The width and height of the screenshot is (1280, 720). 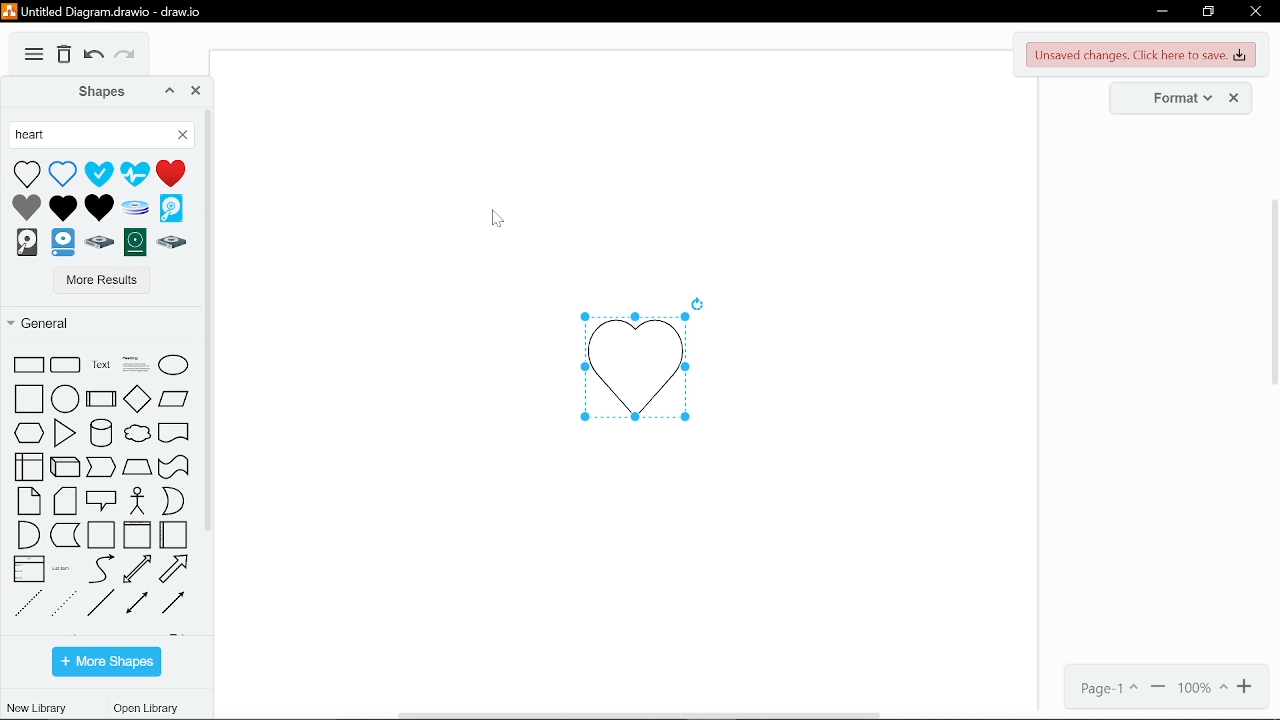 What do you see at coordinates (197, 91) in the screenshot?
I see `close` at bounding box center [197, 91].